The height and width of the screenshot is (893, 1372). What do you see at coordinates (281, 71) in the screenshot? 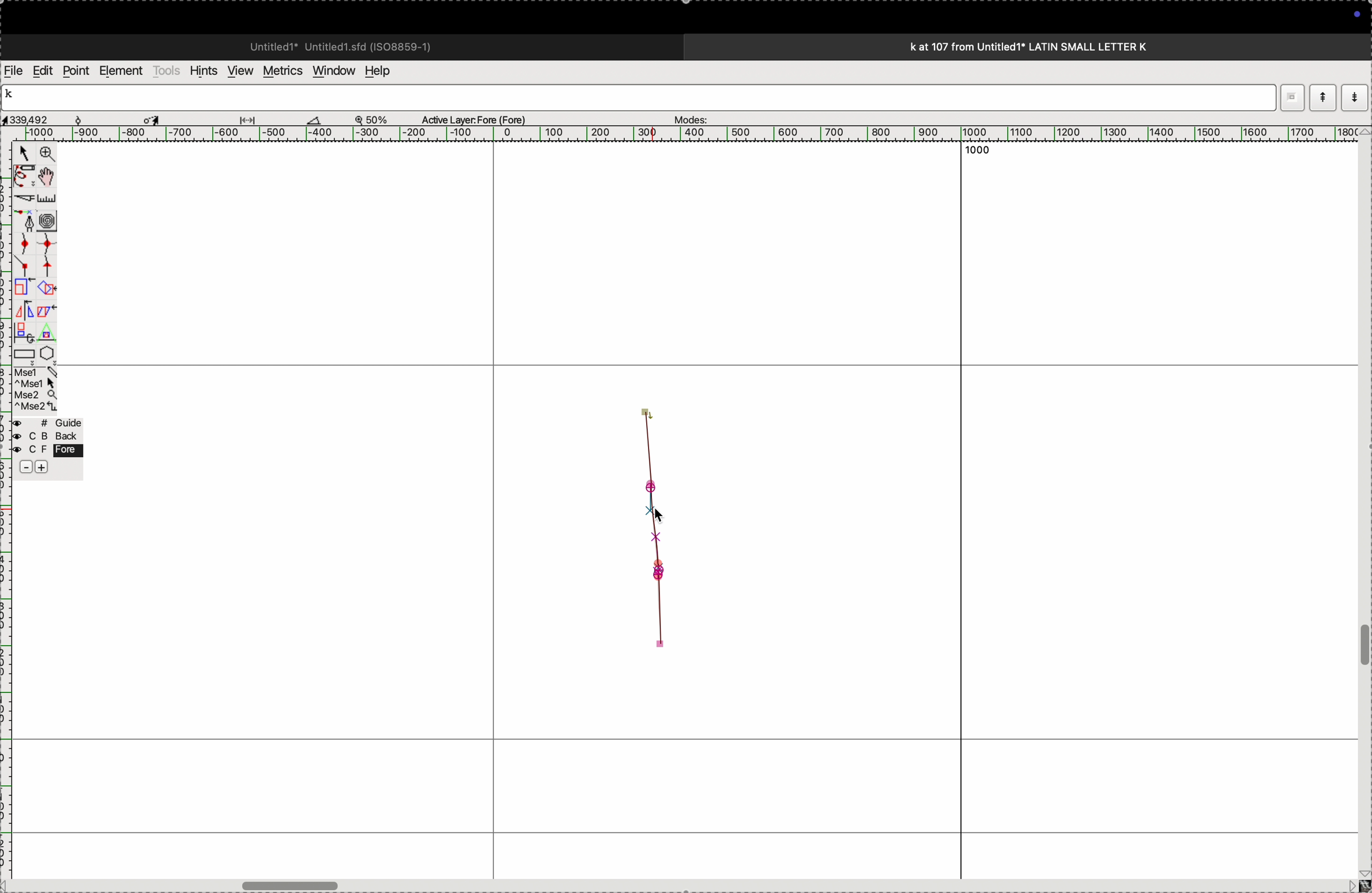
I see `metrics` at bounding box center [281, 71].